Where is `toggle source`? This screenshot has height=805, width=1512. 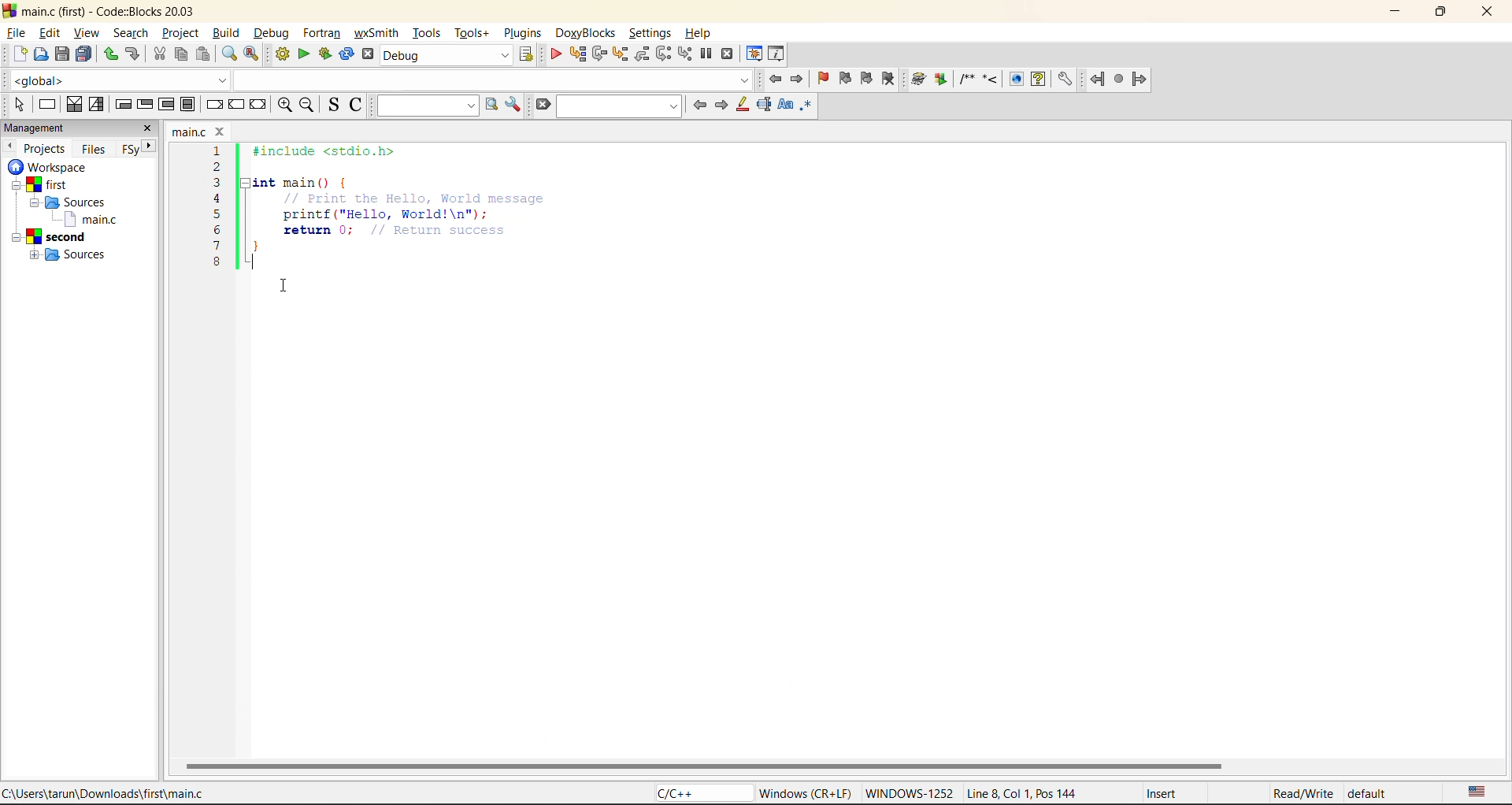 toggle source is located at coordinates (331, 105).